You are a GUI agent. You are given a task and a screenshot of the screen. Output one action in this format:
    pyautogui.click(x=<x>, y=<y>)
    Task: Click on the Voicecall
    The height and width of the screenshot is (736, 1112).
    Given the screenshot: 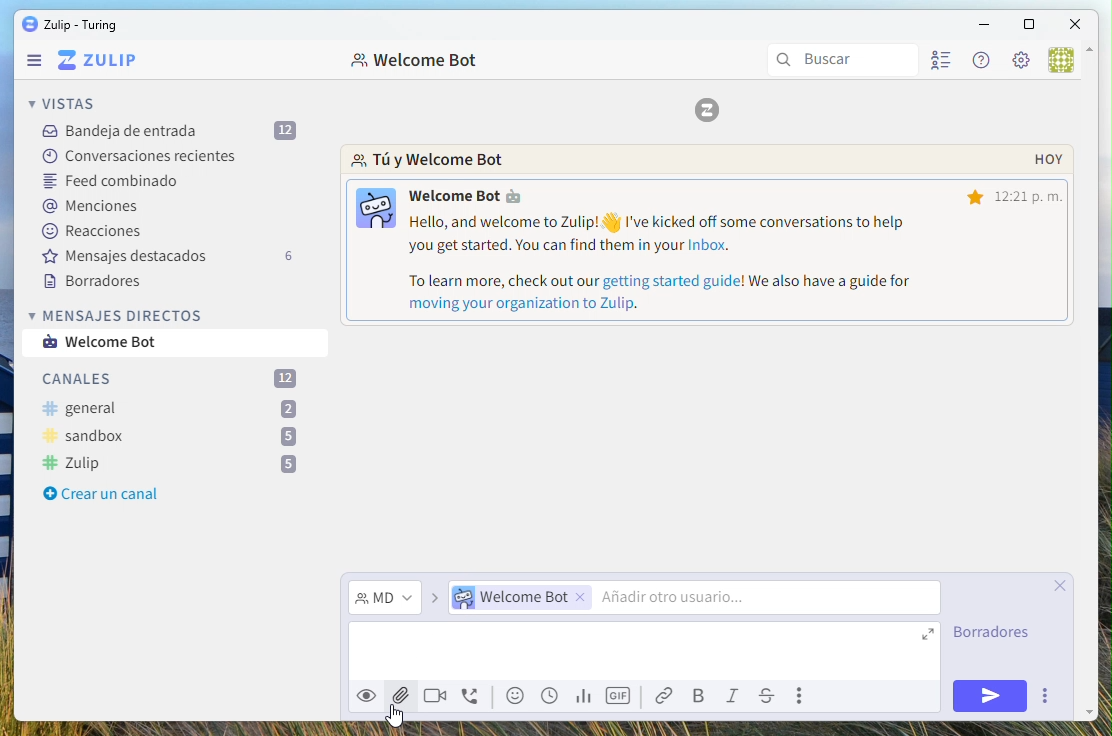 What is the action you would take?
    pyautogui.click(x=472, y=698)
    